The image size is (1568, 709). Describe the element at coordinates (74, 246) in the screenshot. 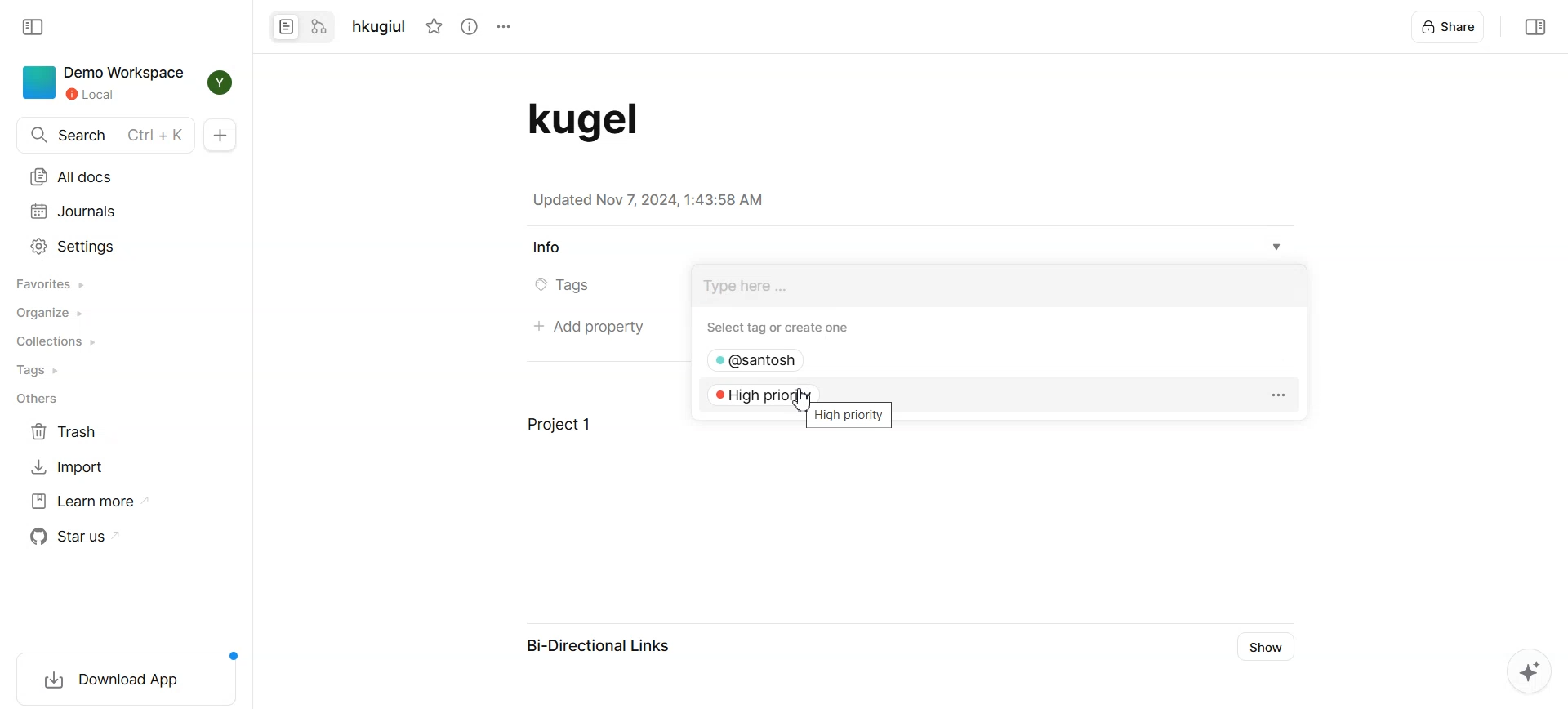

I see `Settings` at that location.